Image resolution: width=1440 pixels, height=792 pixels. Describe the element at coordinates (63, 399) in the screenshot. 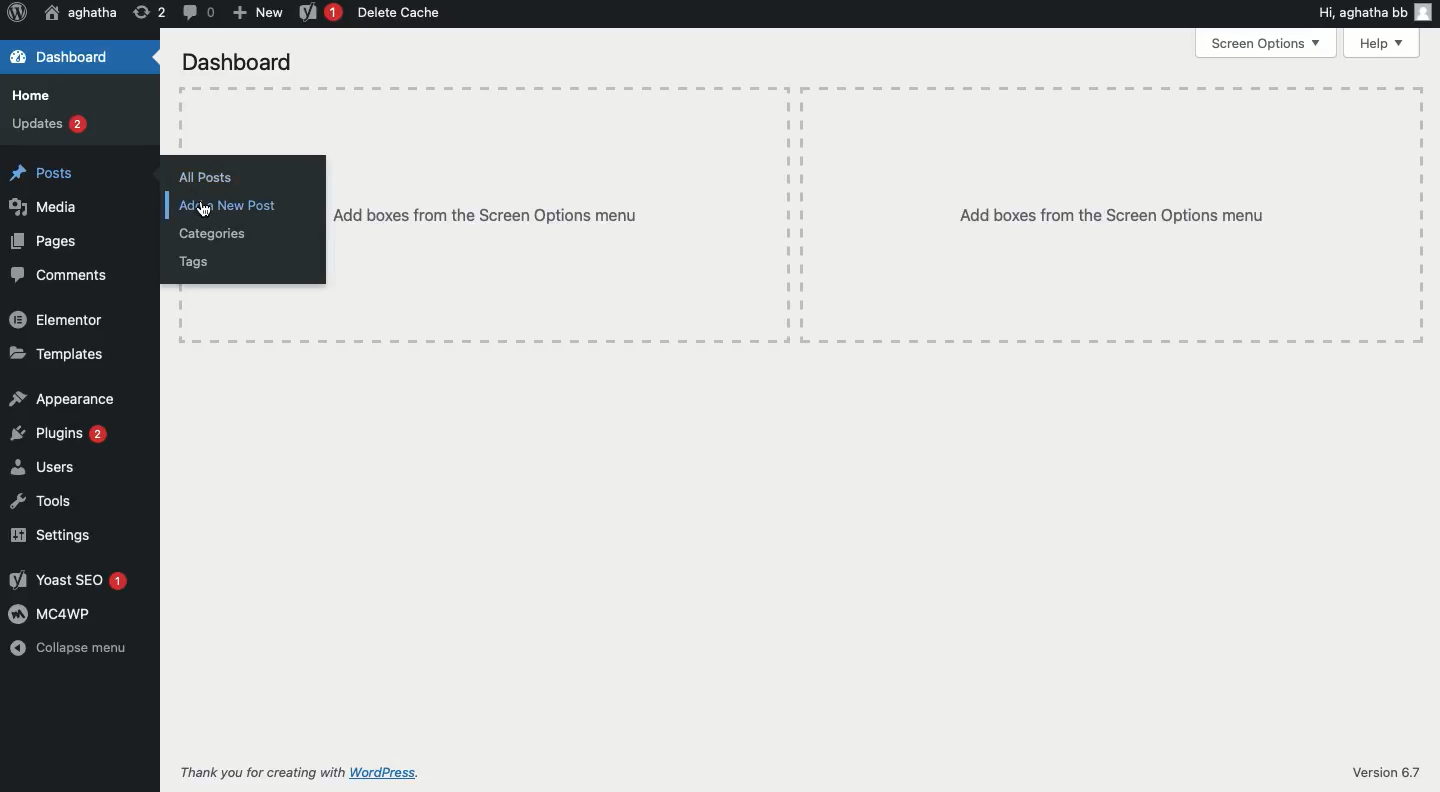

I see `Appearance` at that location.